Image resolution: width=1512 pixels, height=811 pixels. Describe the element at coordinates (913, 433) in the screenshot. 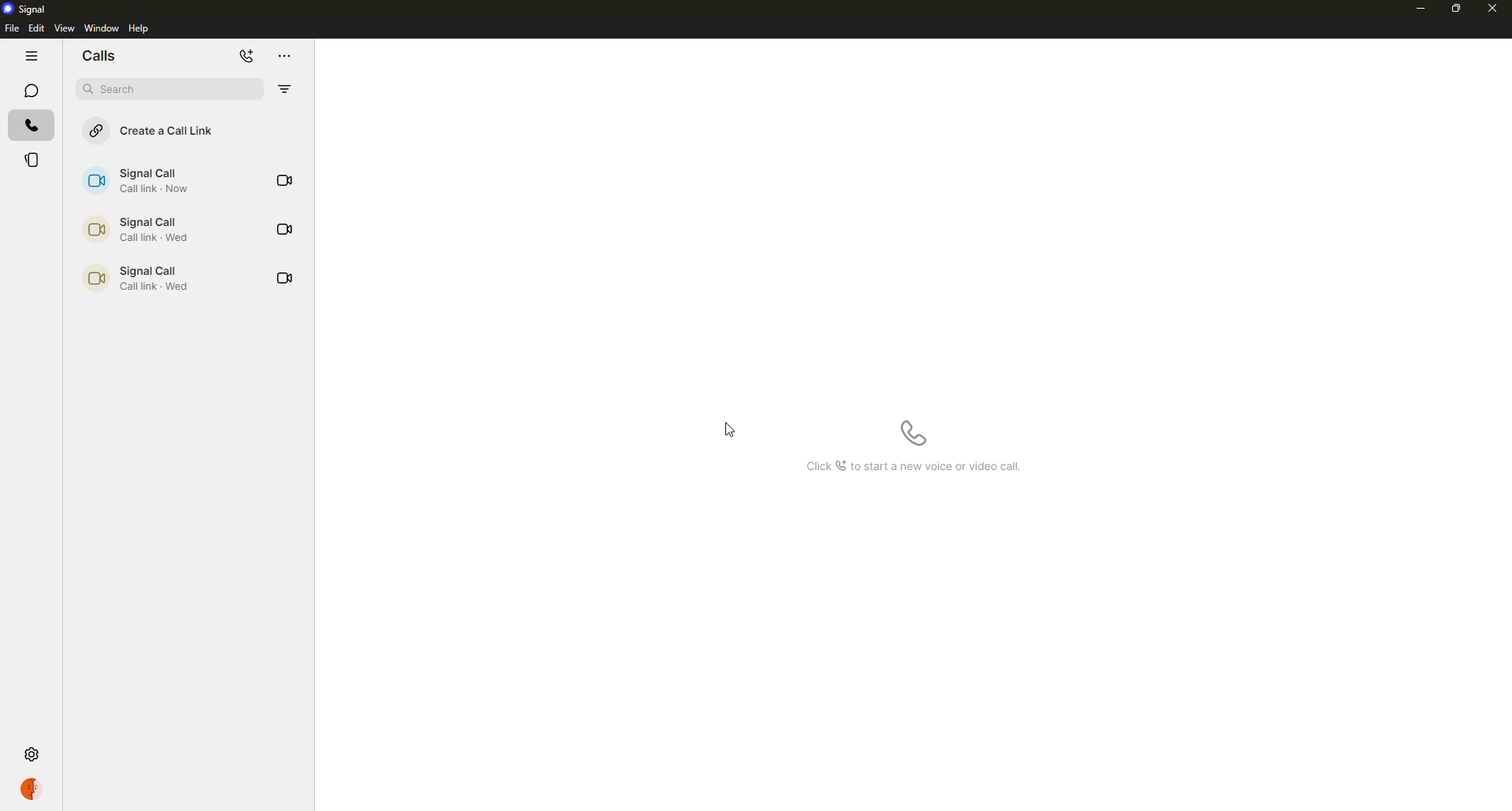

I see `start a voice call` at that location.